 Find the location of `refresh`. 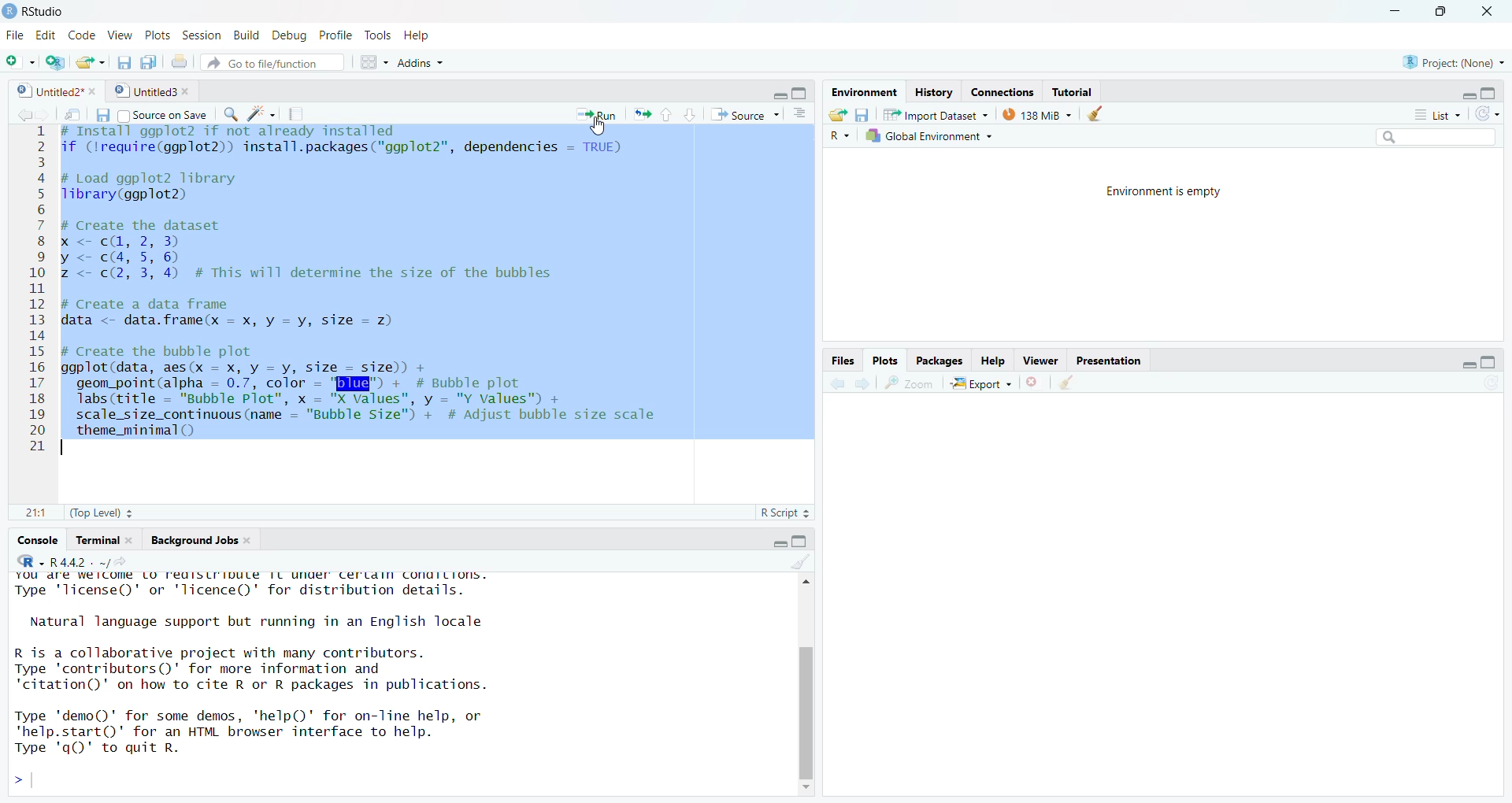

refresh is located at coordinates (1492, 113).